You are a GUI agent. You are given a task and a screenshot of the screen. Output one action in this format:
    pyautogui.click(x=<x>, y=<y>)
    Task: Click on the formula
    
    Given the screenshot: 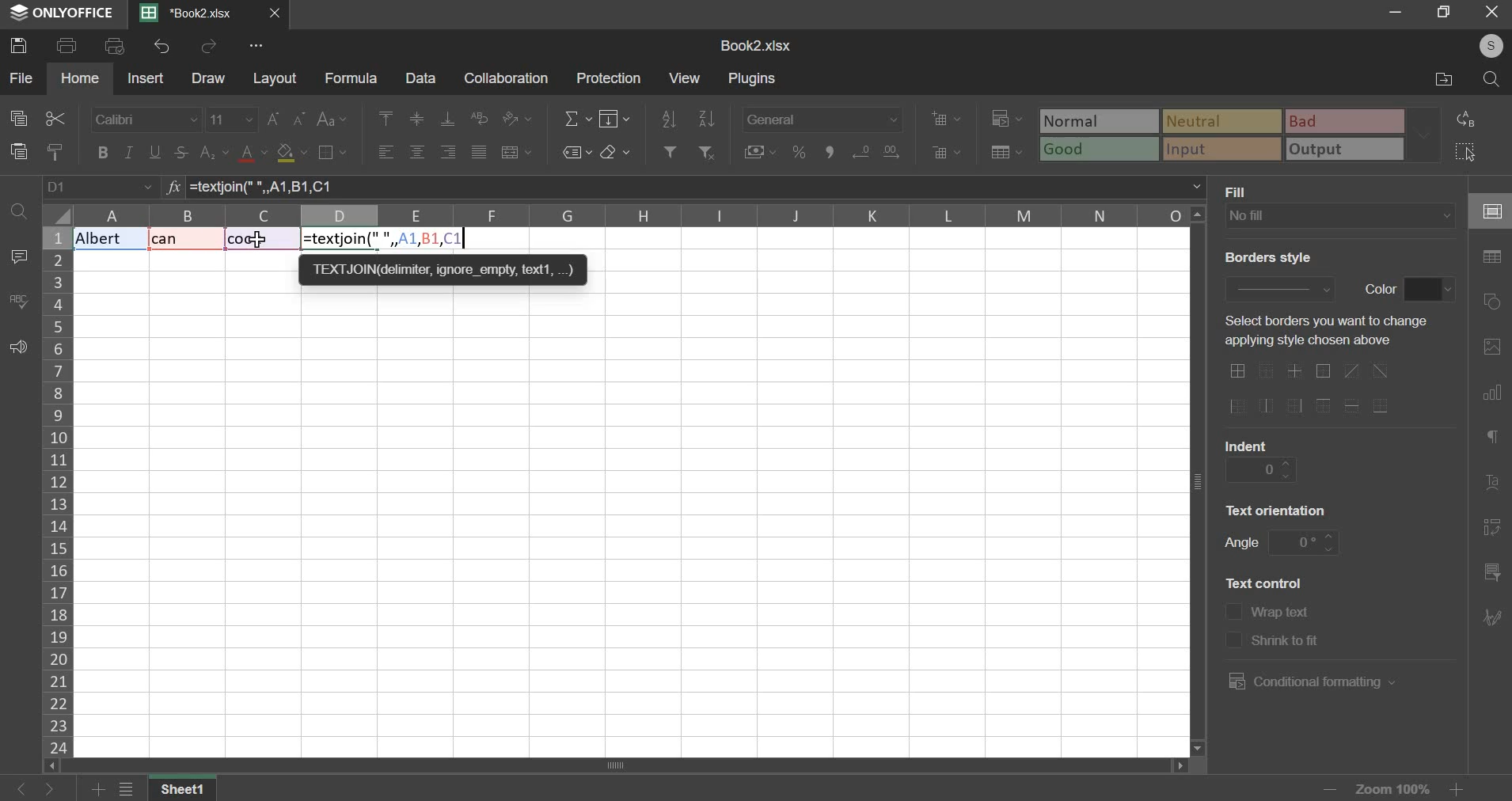 What is the action you would take?
    pyautogui.click(x=382, y=240)
    